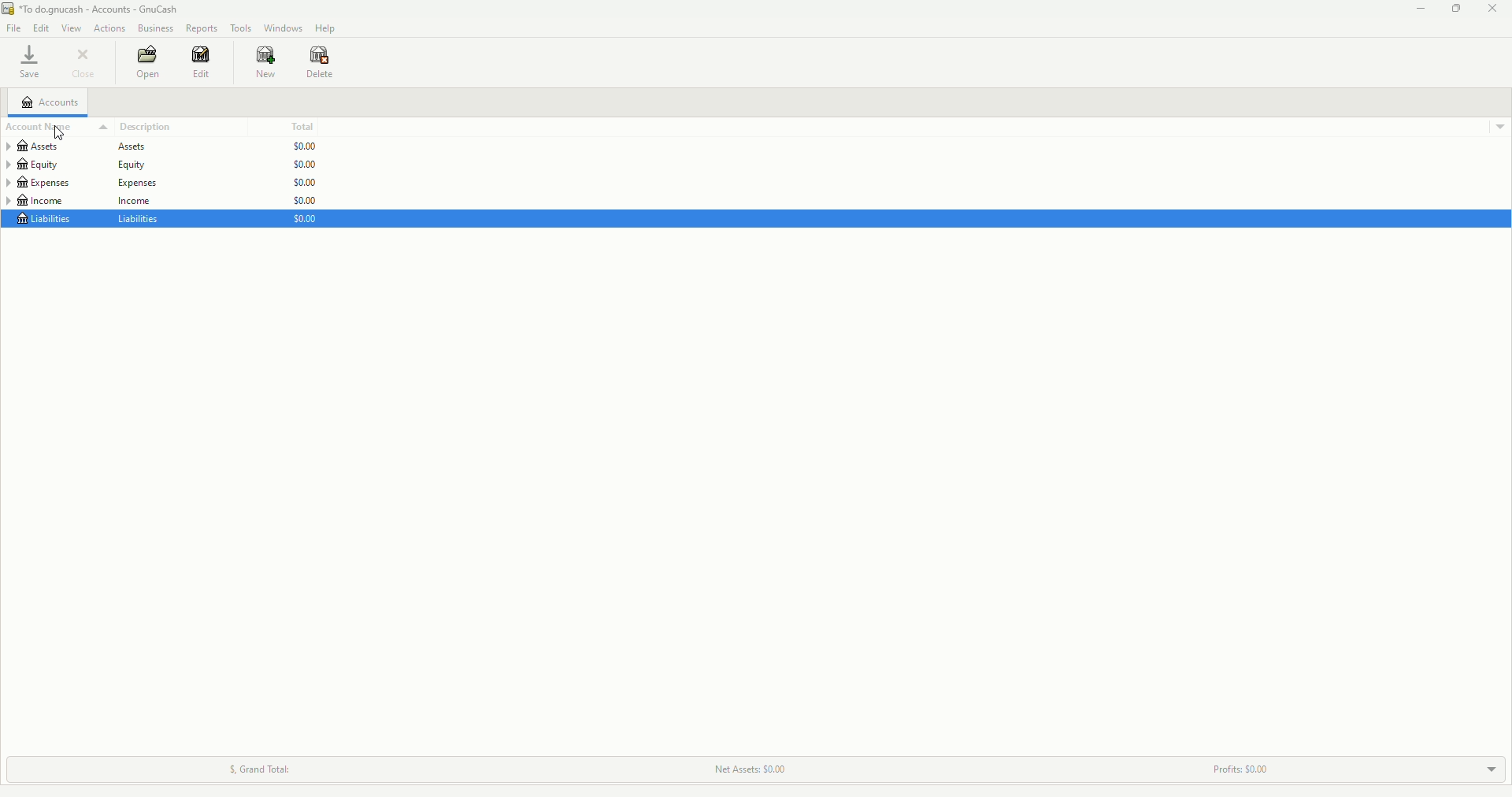 This screenshot has width=1512, height=797. What do you see at coordinates (58, 134) in the screenshot?
I see `mouse pointer` at bounding box center [58, 134].